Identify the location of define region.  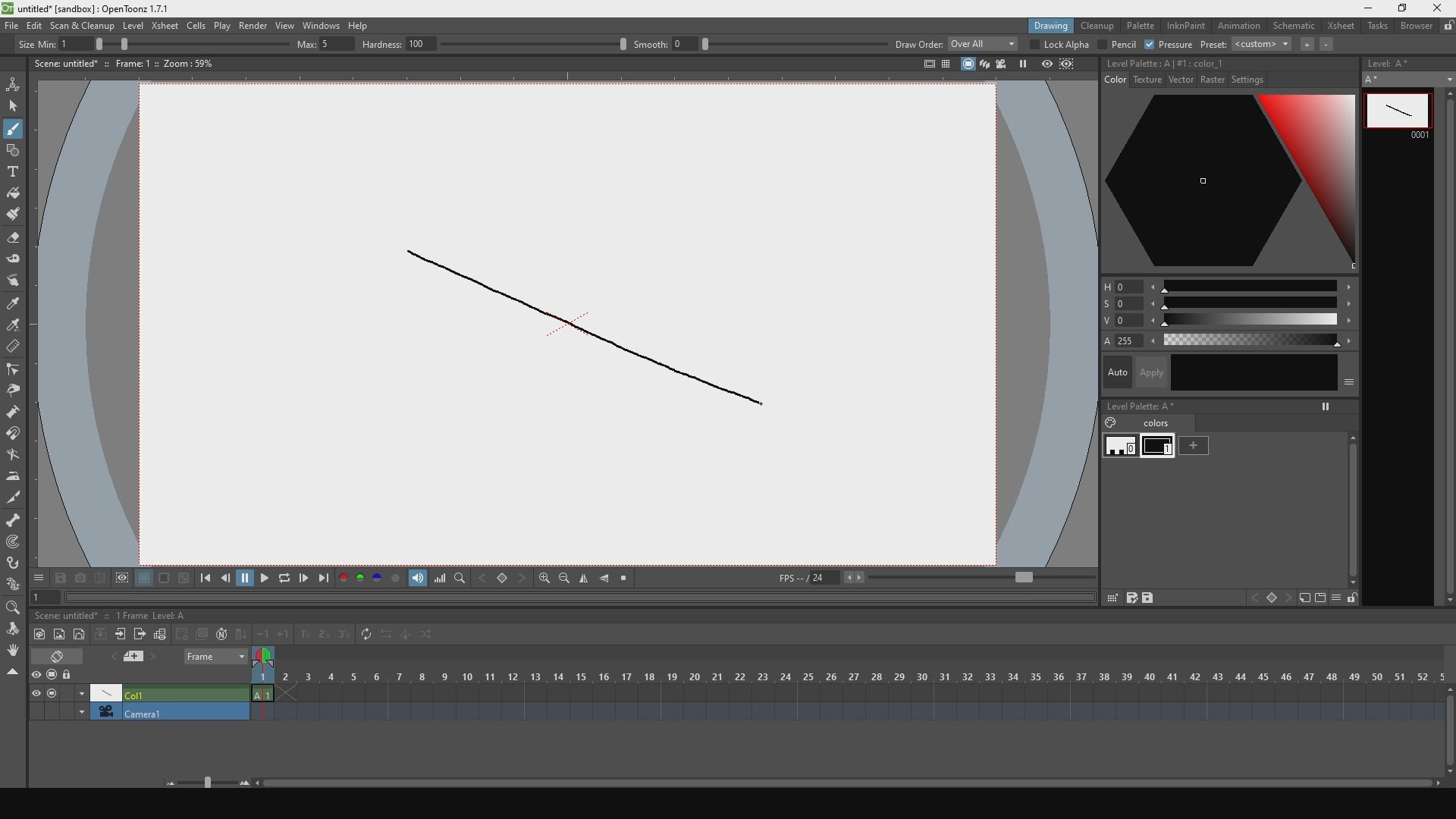
(1077, 65).